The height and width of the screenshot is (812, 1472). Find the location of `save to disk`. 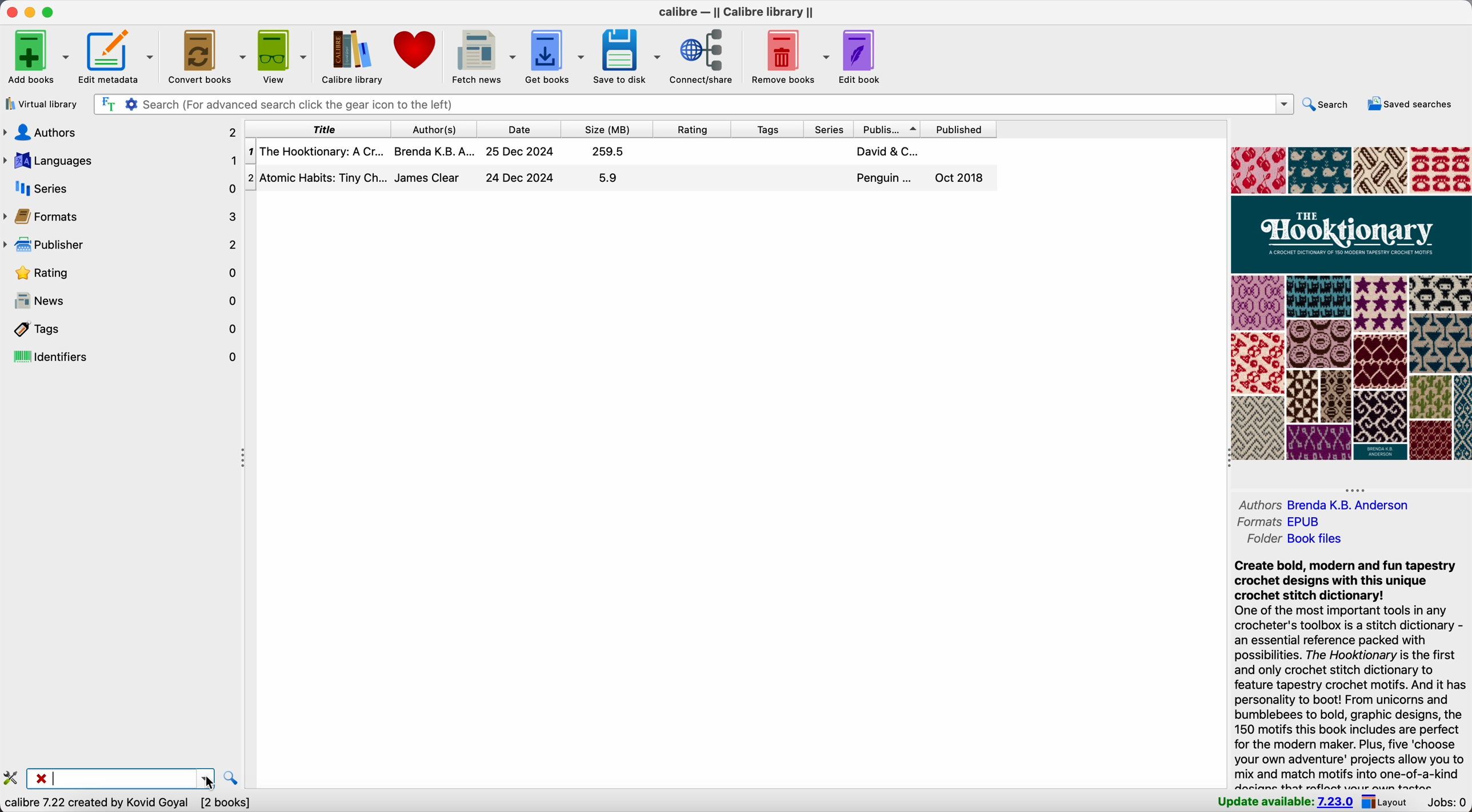

save to disk is located at coordinates (627, 58).